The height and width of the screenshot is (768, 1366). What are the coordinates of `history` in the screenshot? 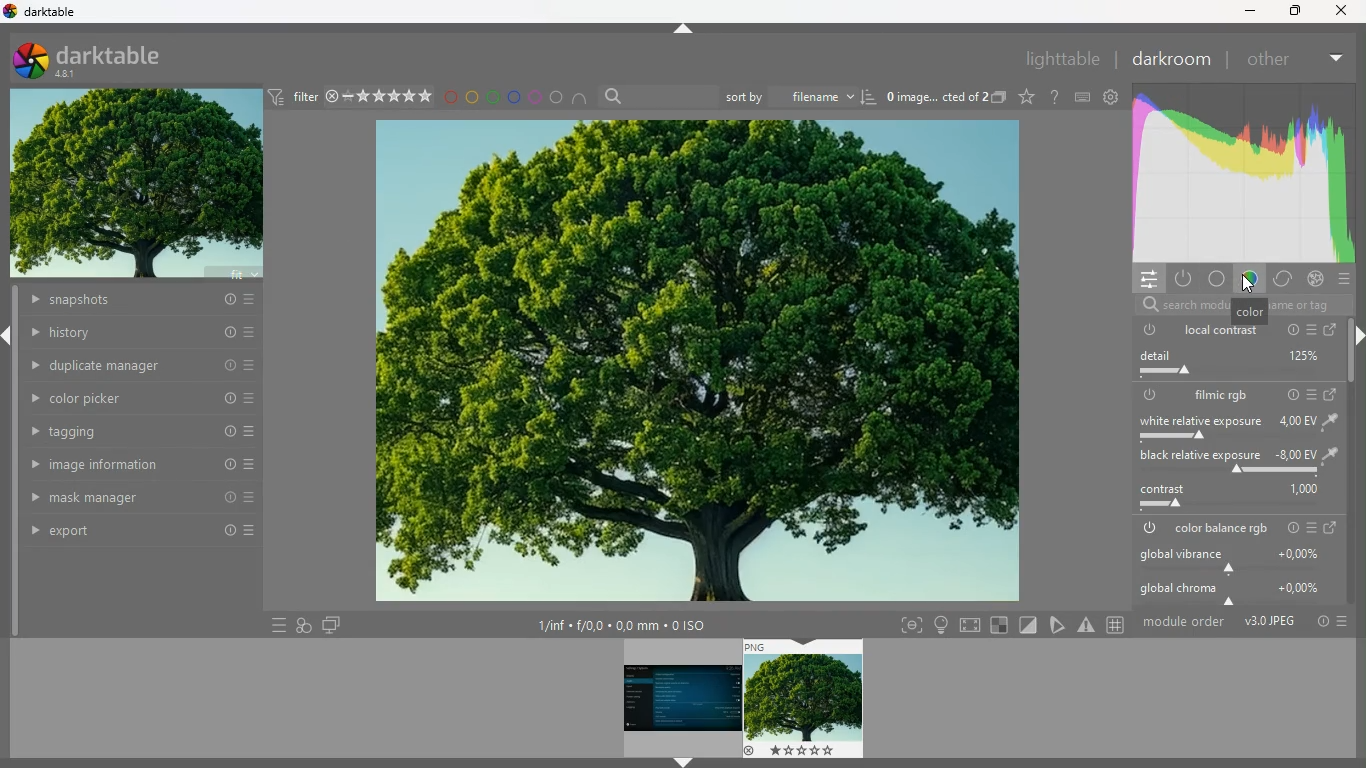 It's located at (143, 333).